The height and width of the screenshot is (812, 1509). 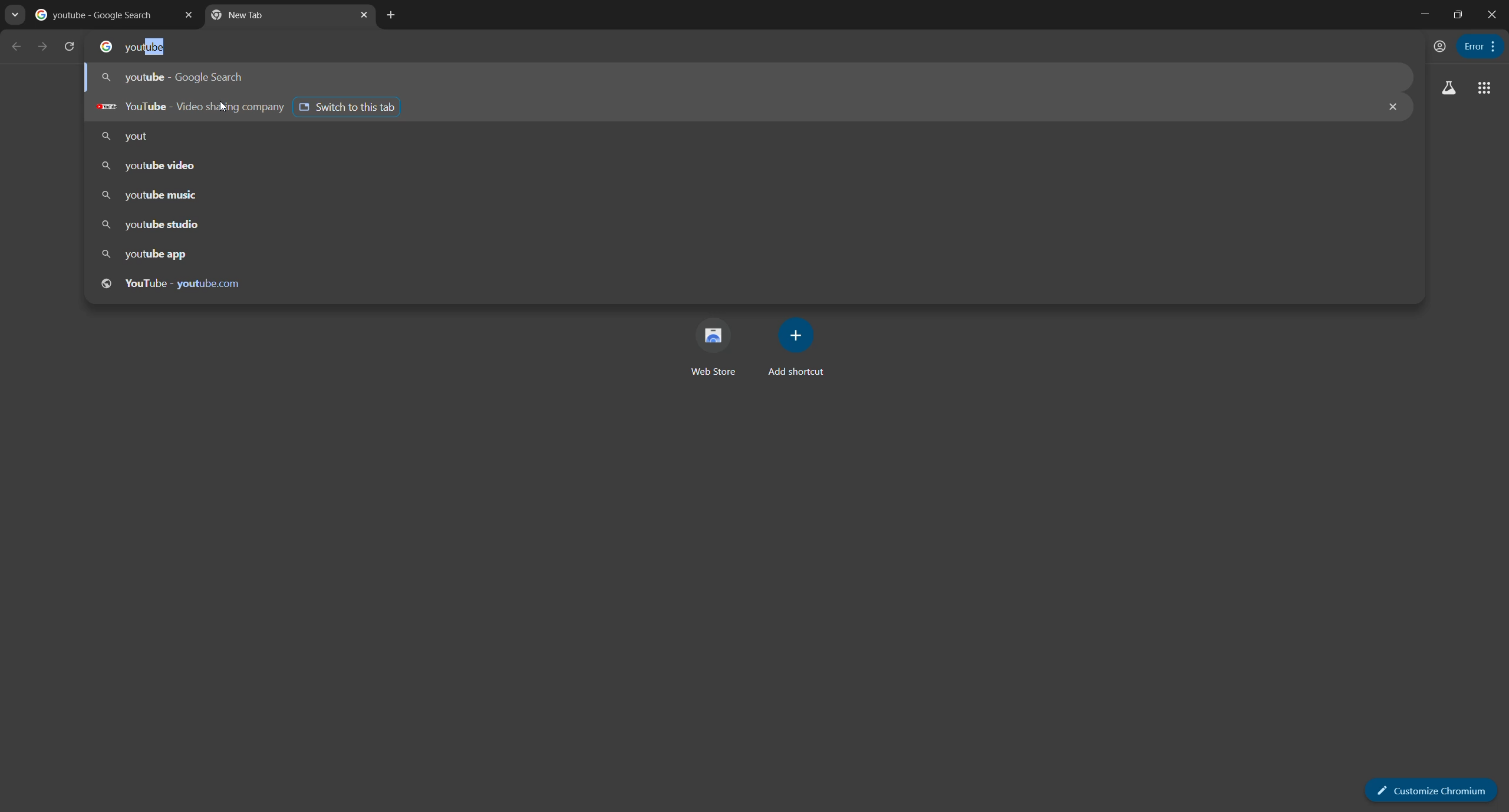 I want to click on youtube video, so click(x=150, y=167).